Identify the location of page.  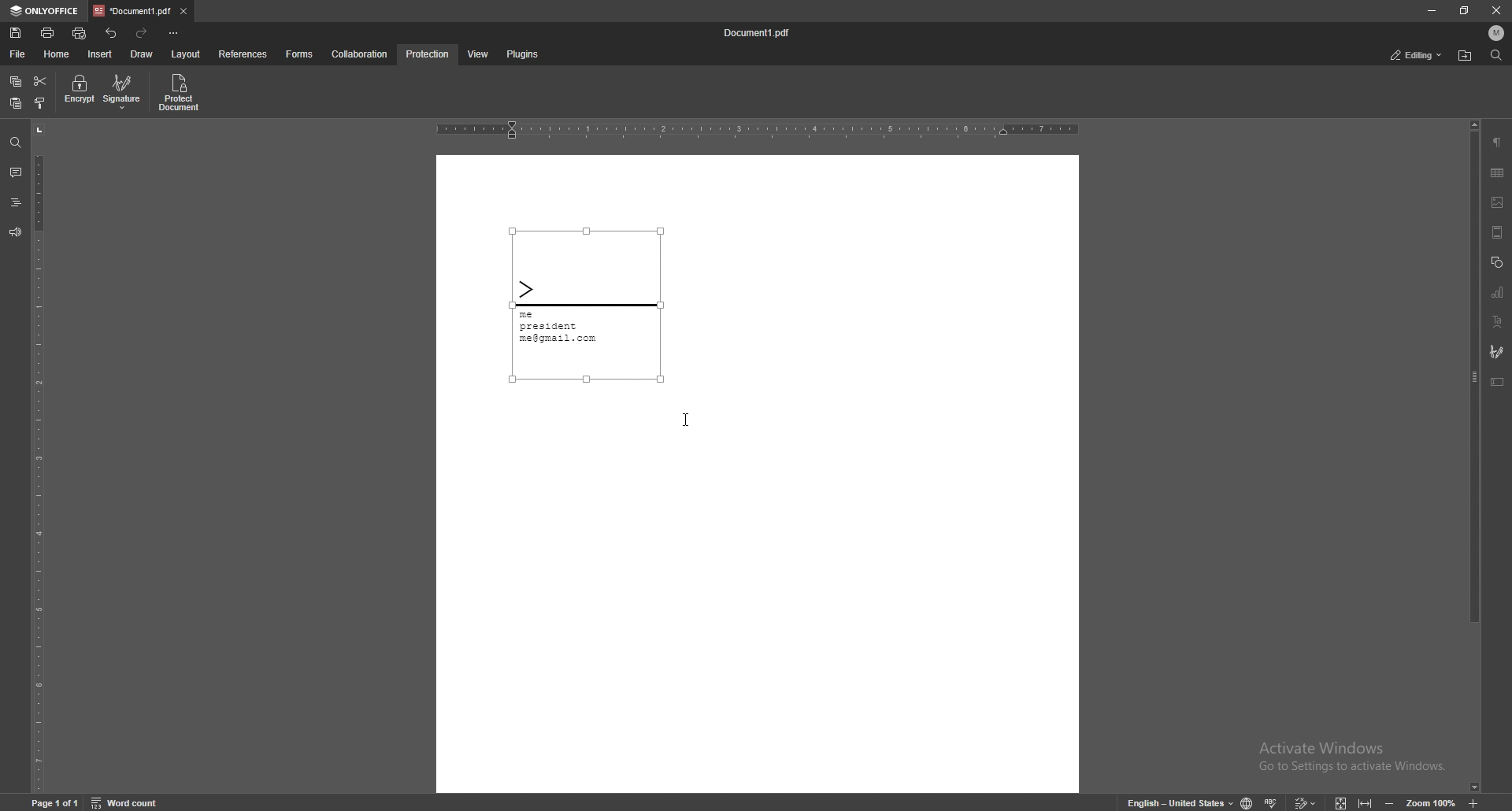
(57, 802).